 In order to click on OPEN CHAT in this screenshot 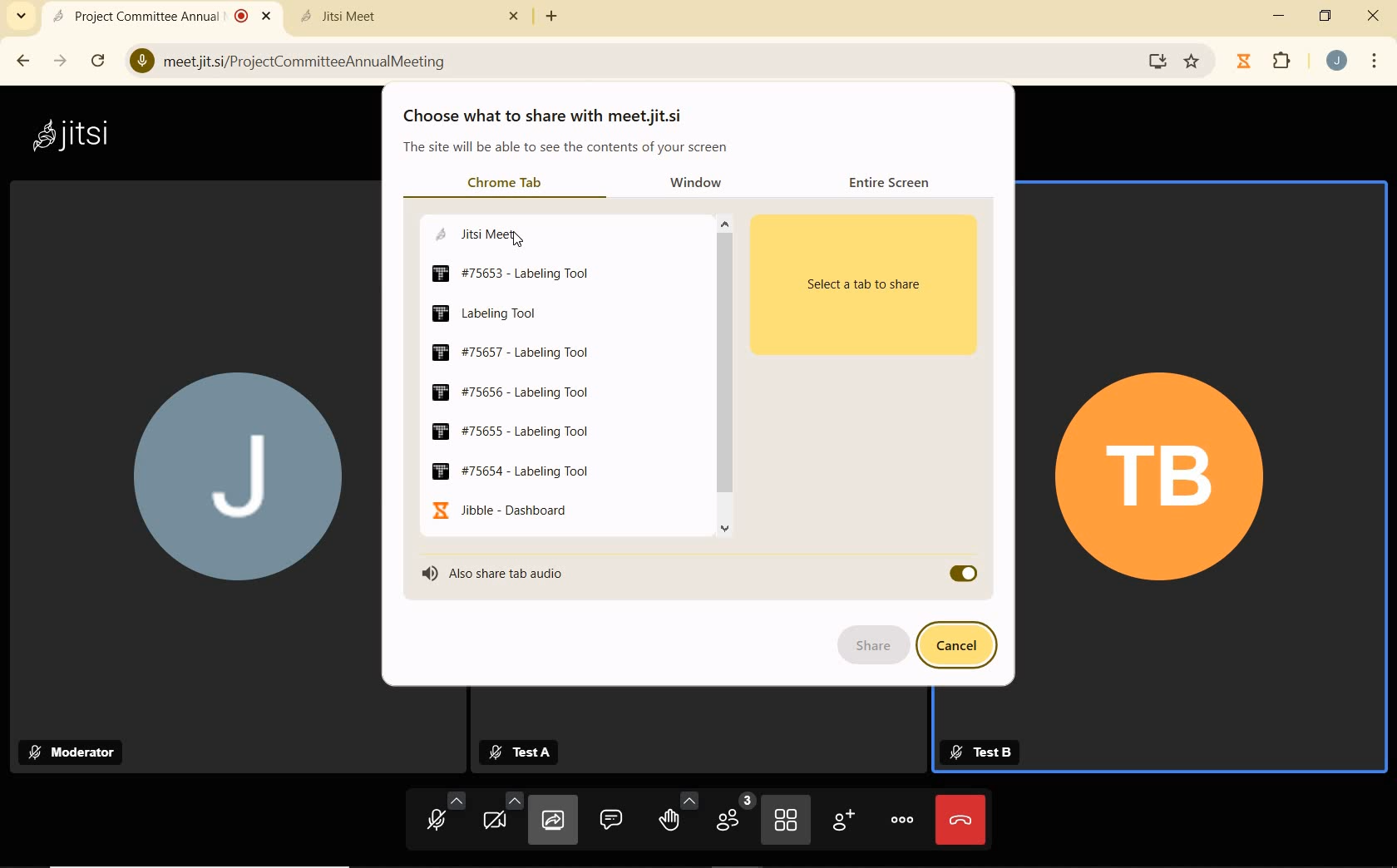, I will do `click(611, 818)`.